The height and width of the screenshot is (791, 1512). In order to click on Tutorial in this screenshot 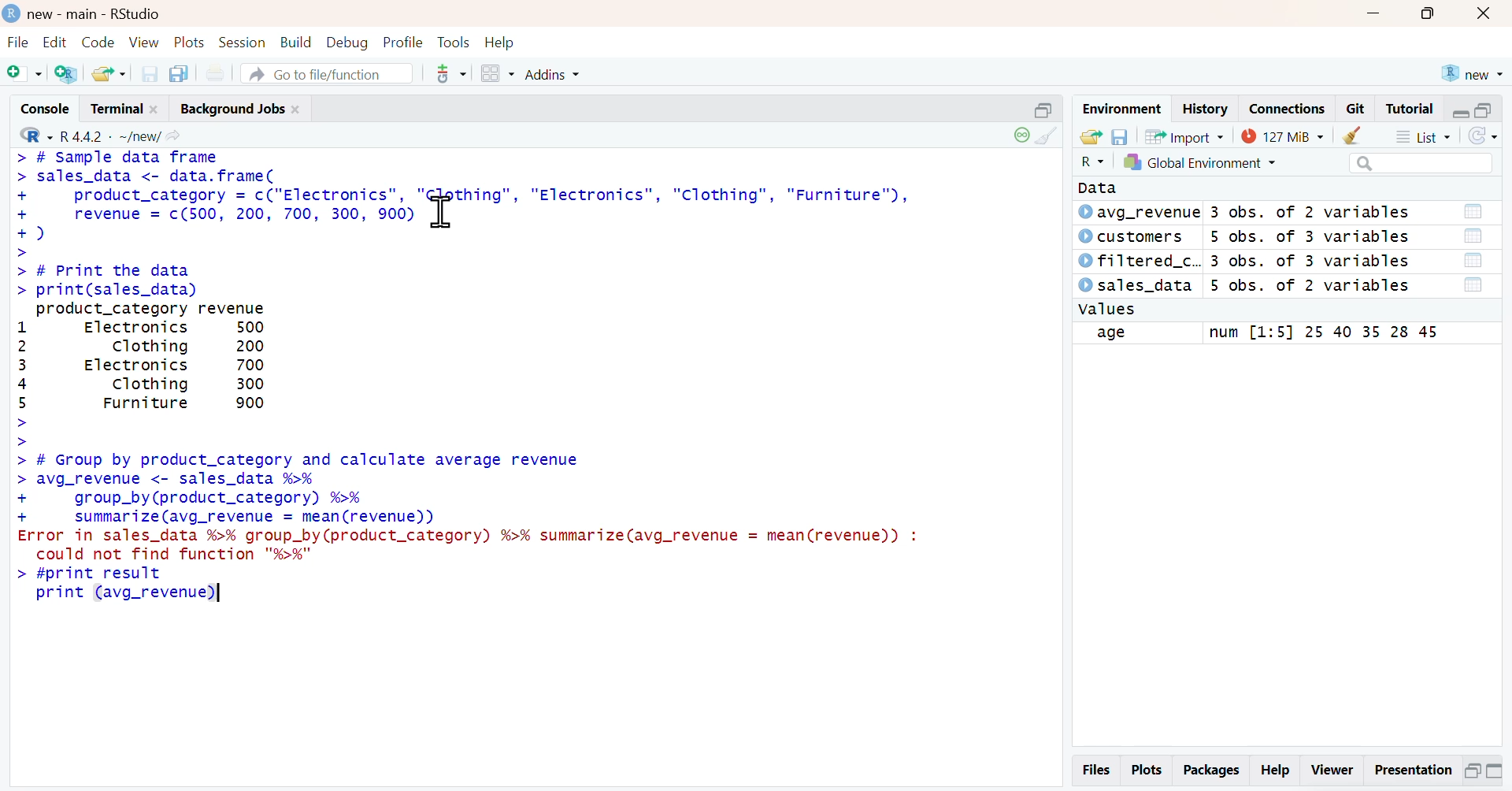, I will do `click(1408, 109)`.